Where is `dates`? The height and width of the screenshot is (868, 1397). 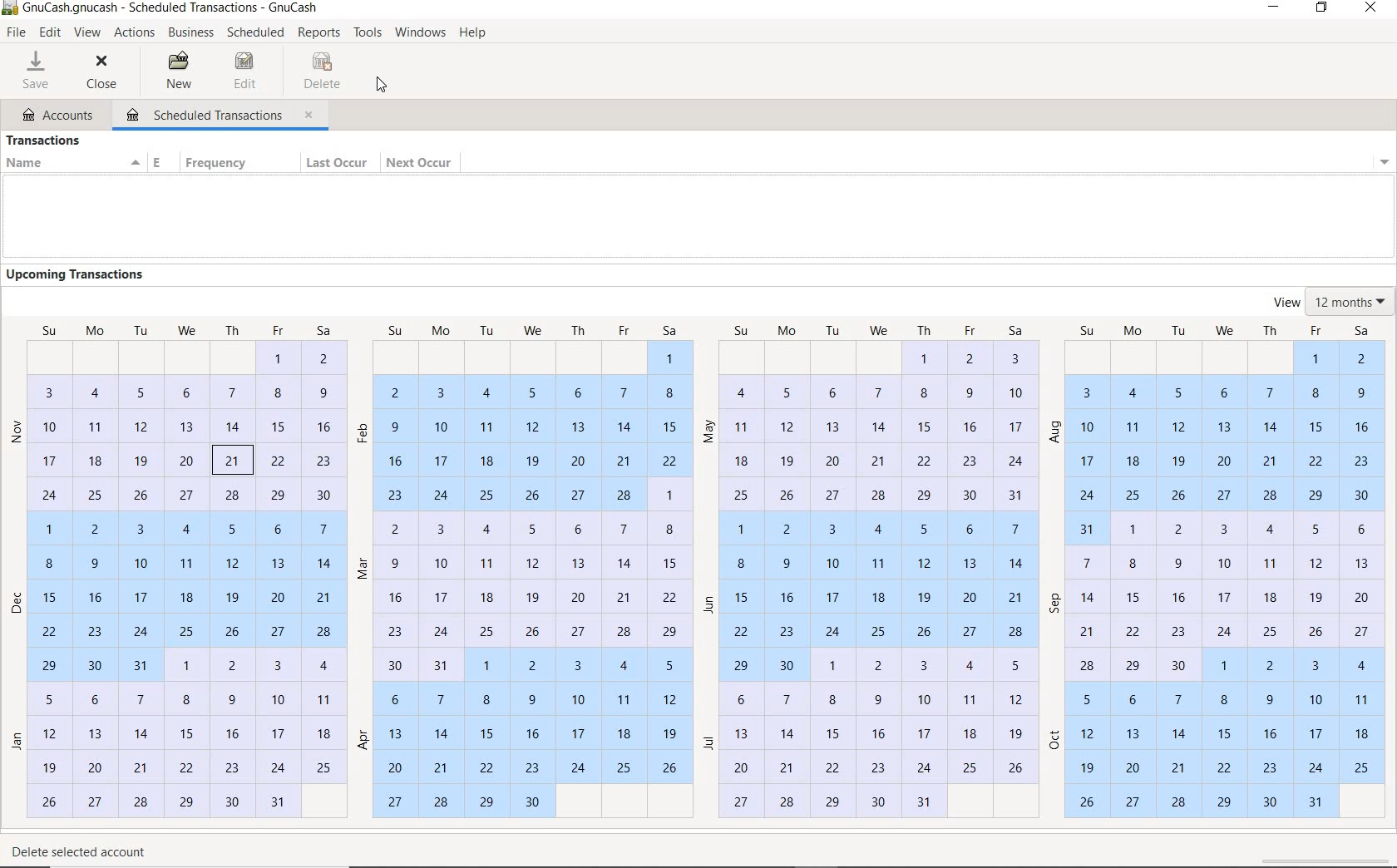 dates is located at coordinates (1227, 583).